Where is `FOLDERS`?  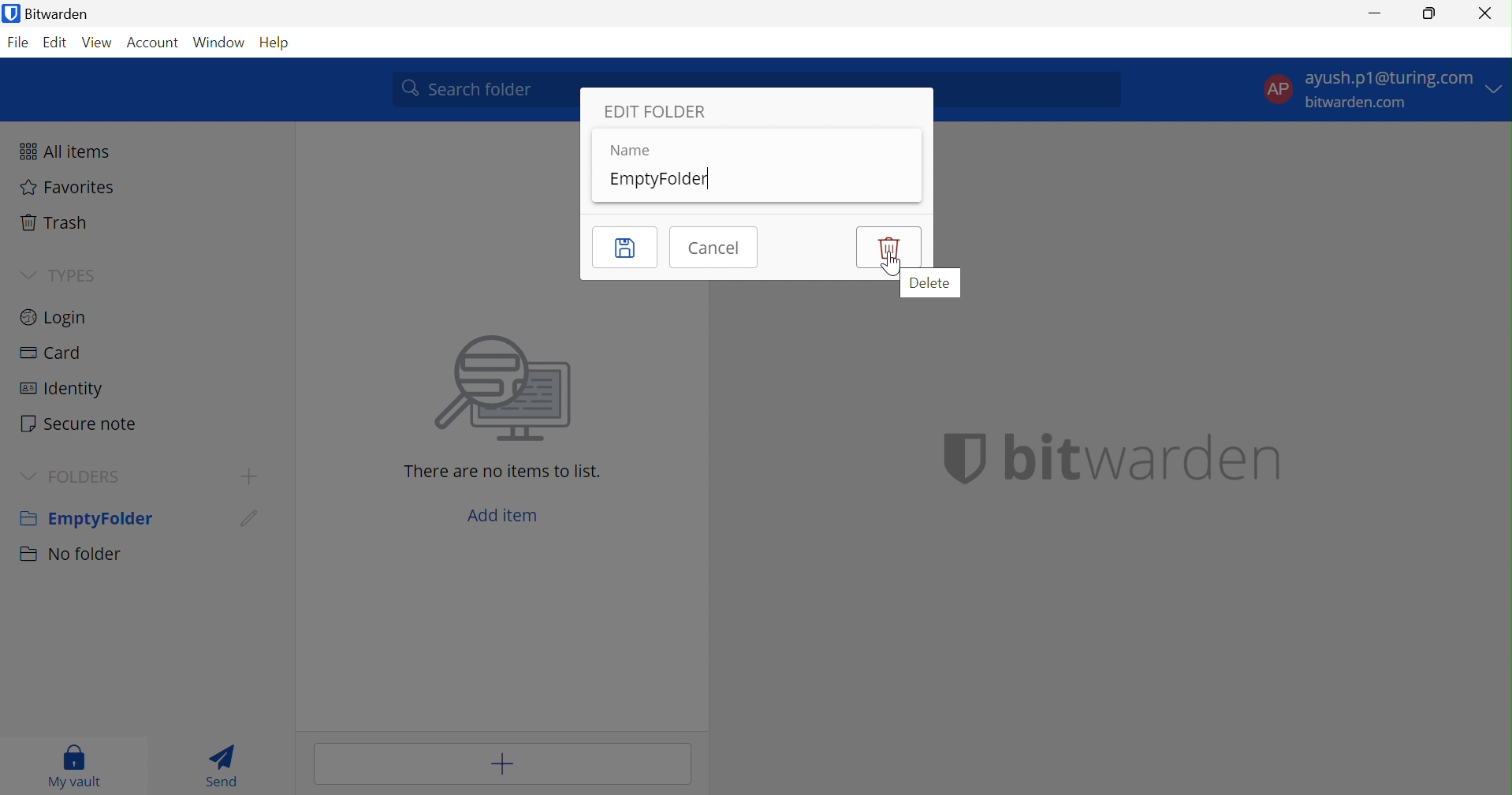
FOLDERS is located at coordinates (89, 477).